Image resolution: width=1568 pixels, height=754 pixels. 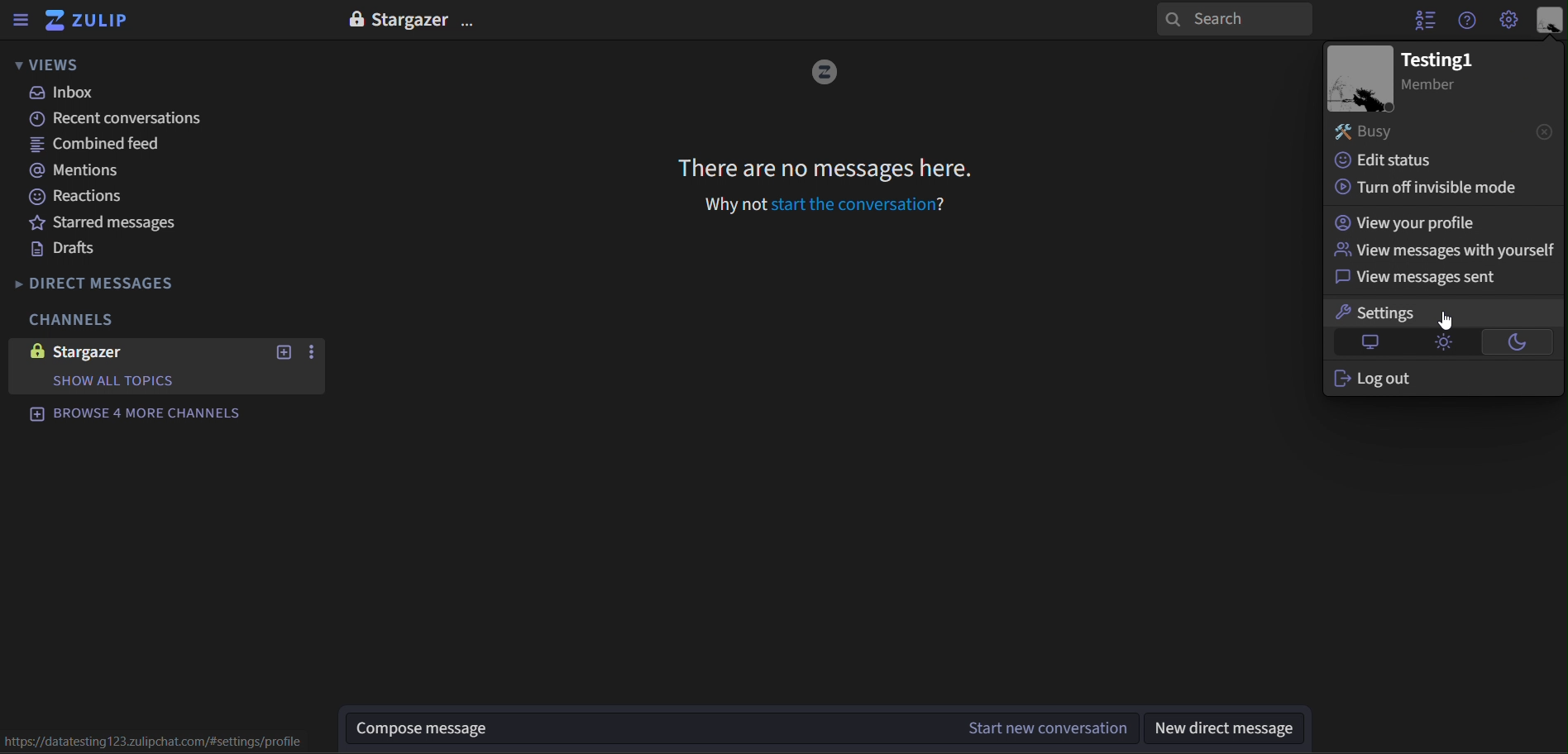 What do you see at coordinates (84, 171) in the screenshot?
I see `mentions` at bounding box center [84, 171].